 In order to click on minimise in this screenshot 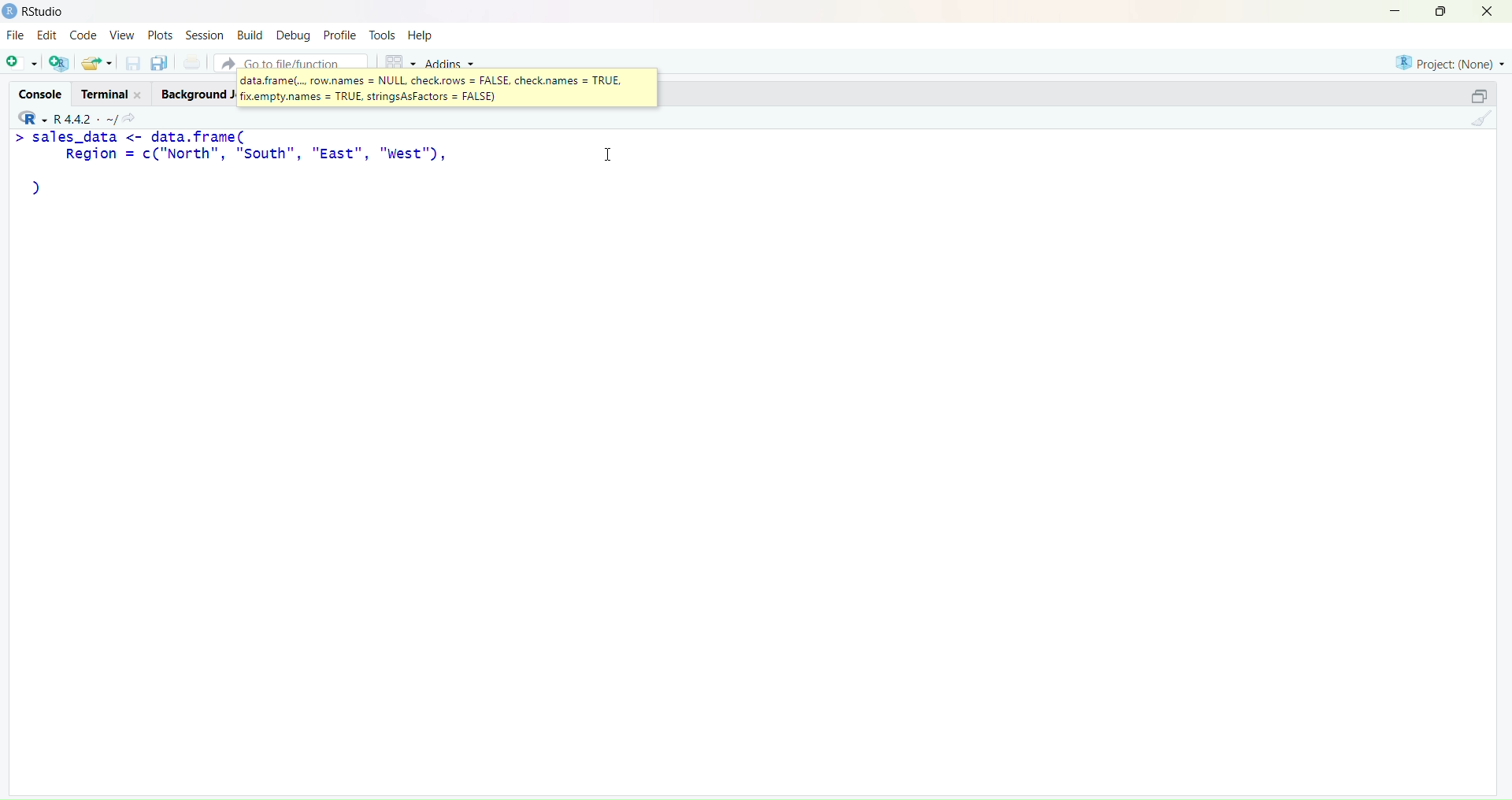, I will do `click(1385, 9)`.